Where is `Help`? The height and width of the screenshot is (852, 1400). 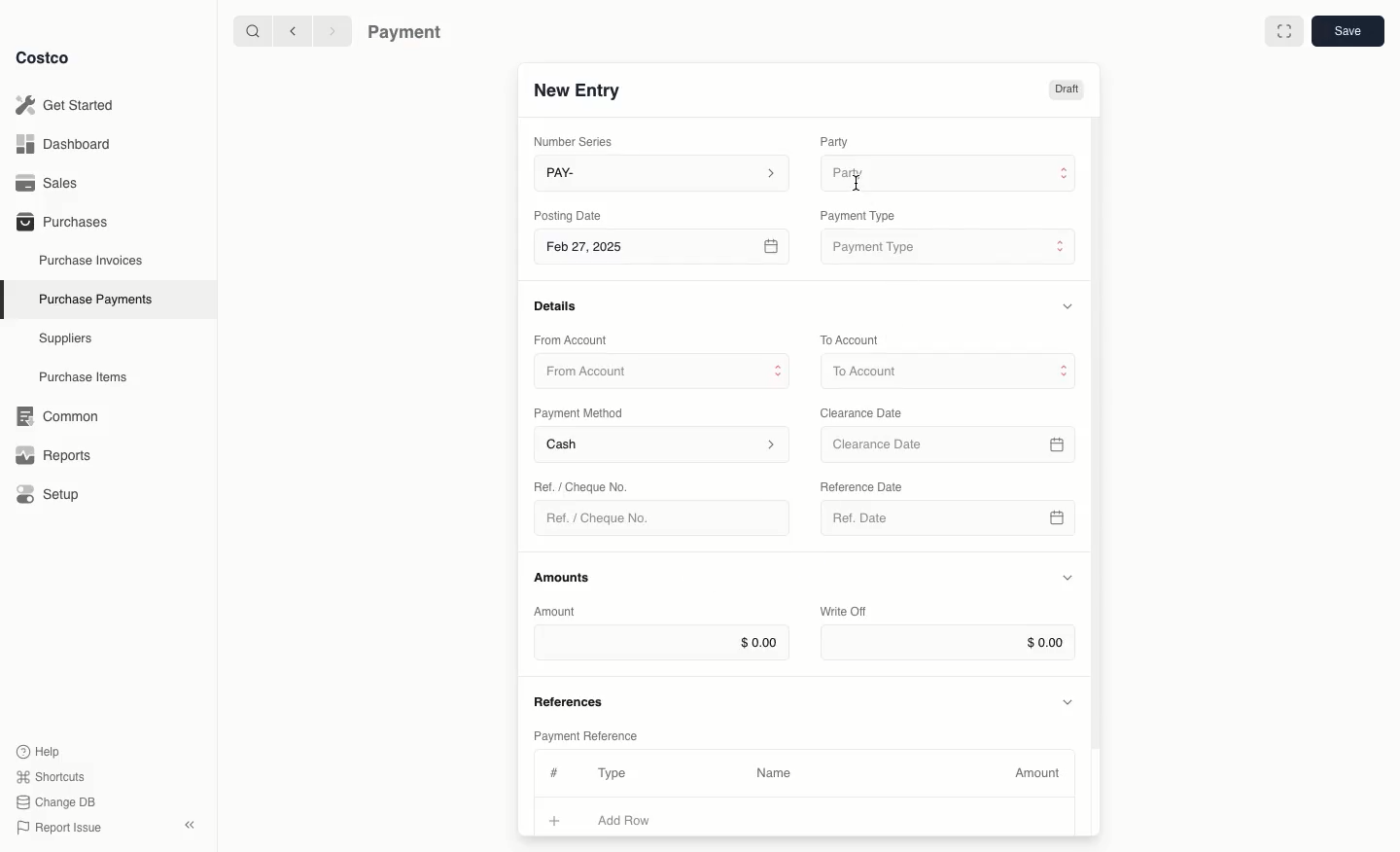
Help is located at coordinates (38, 750).